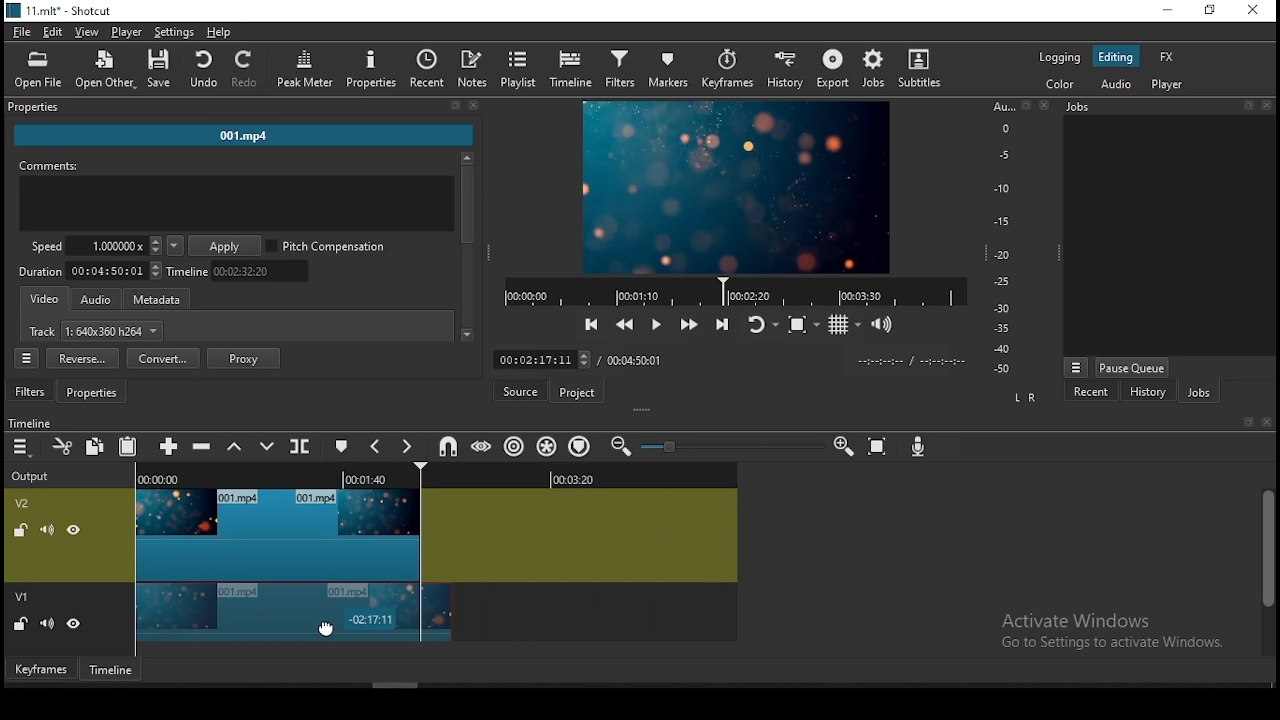  Describe the element at coordinates (447, 447) in the screenshot. I see `snap` at that location.